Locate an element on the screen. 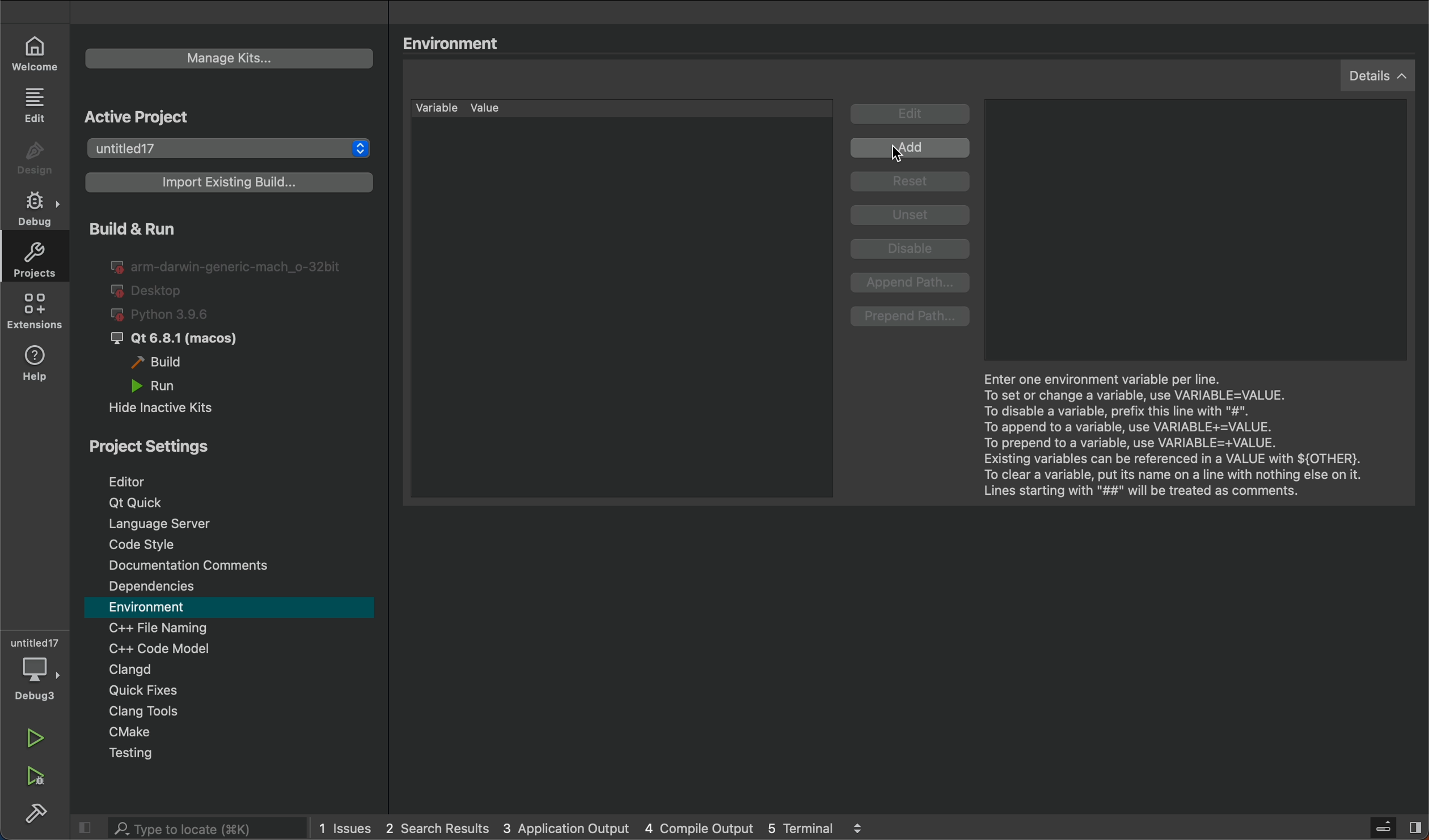  run is located at coordinates (174, 385).